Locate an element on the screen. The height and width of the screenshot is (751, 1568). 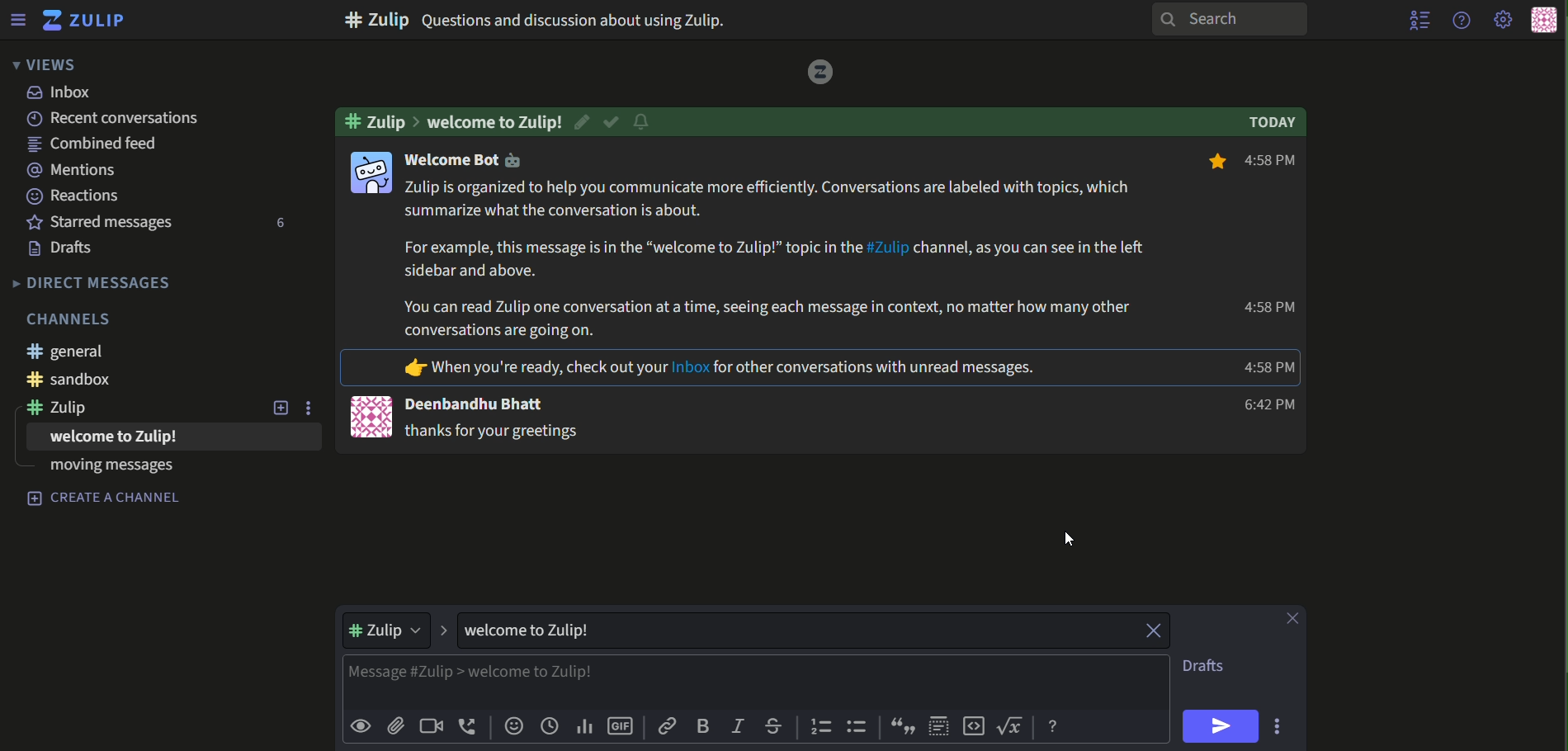
math is located at coordinates (1013, 727).